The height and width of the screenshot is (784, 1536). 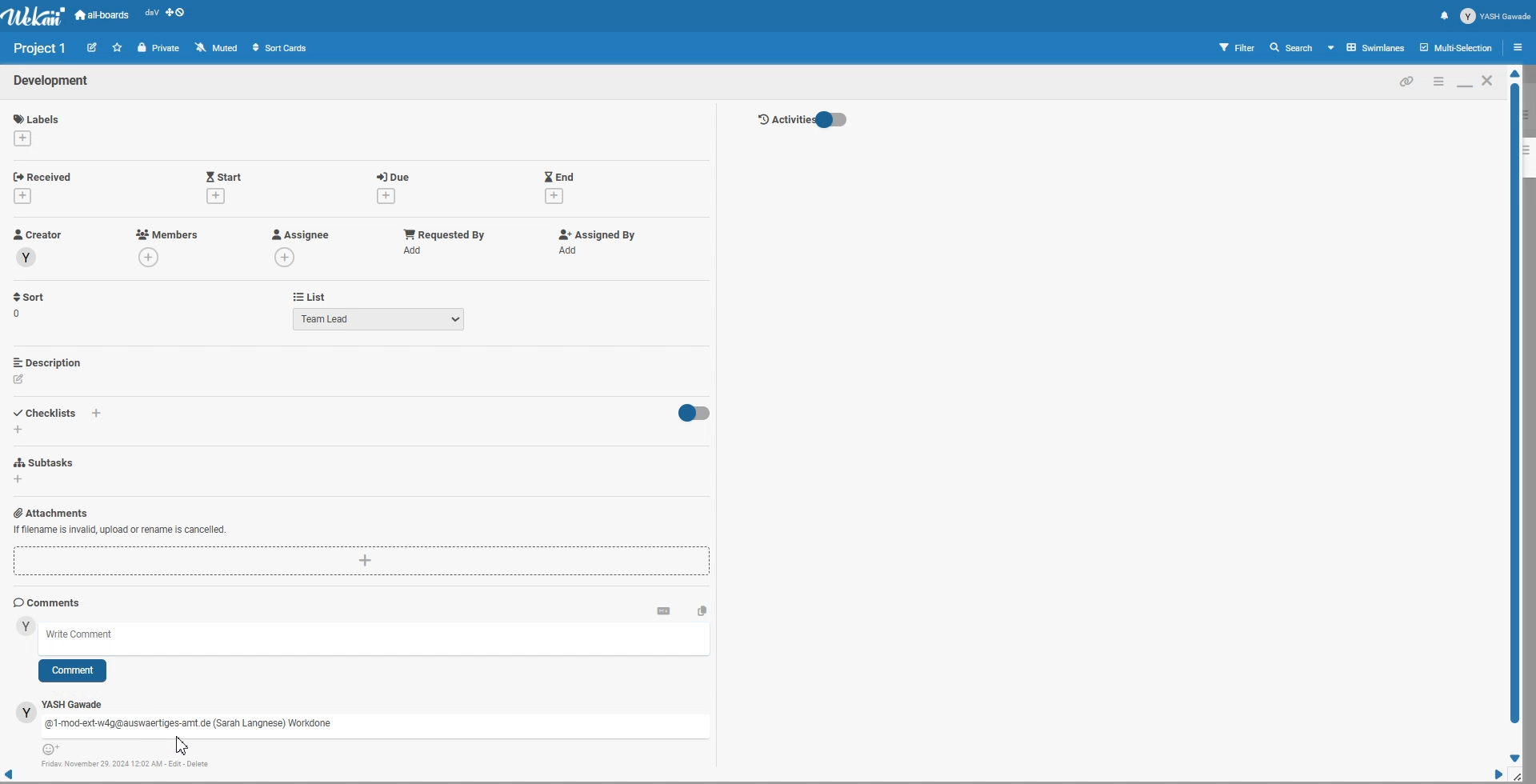 I want to click on date and time, so click(x=126, y=764).